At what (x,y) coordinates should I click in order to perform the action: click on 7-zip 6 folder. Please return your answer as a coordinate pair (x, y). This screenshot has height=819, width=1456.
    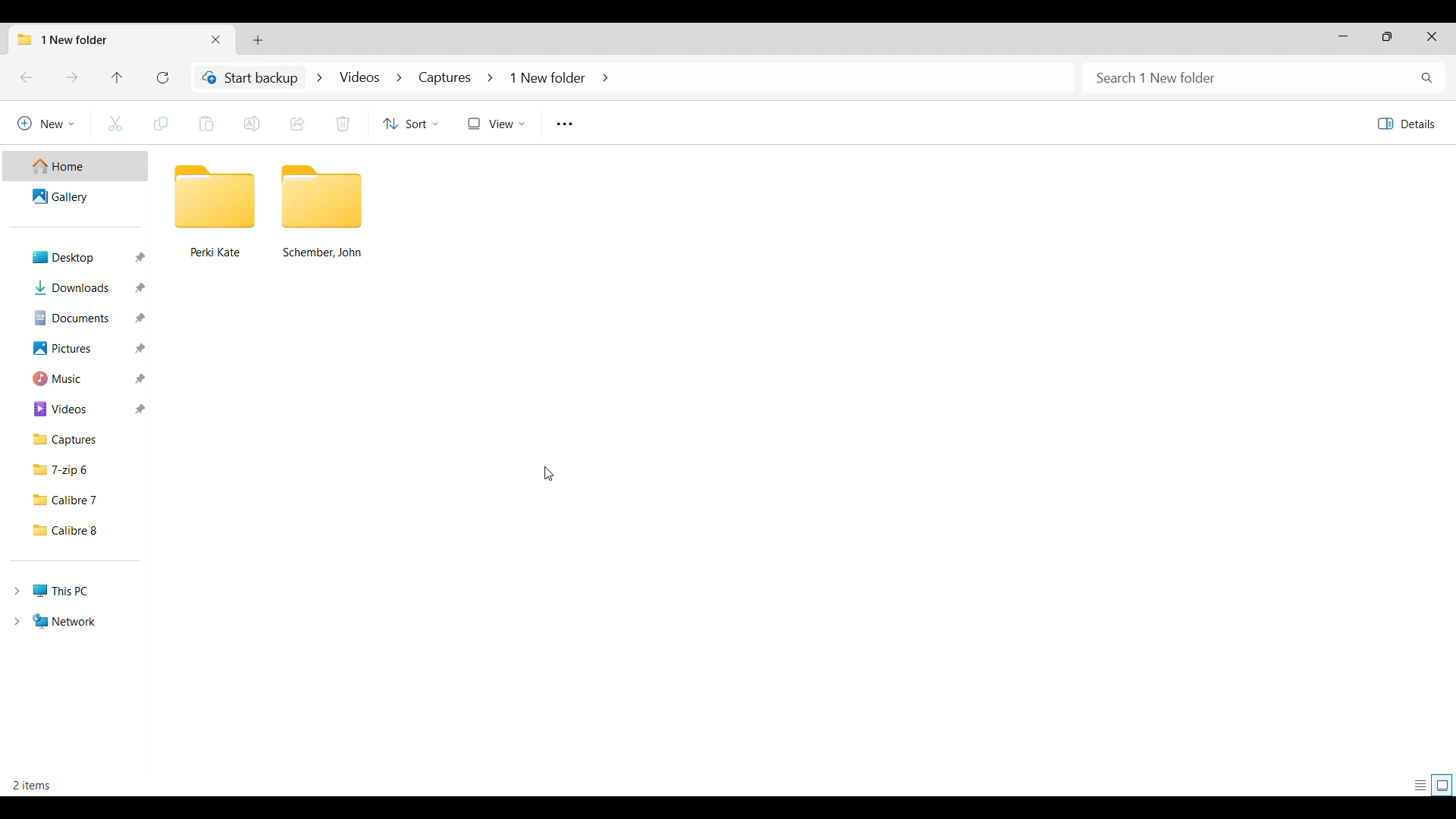
    Looking at the image, I should click on (80, 470).